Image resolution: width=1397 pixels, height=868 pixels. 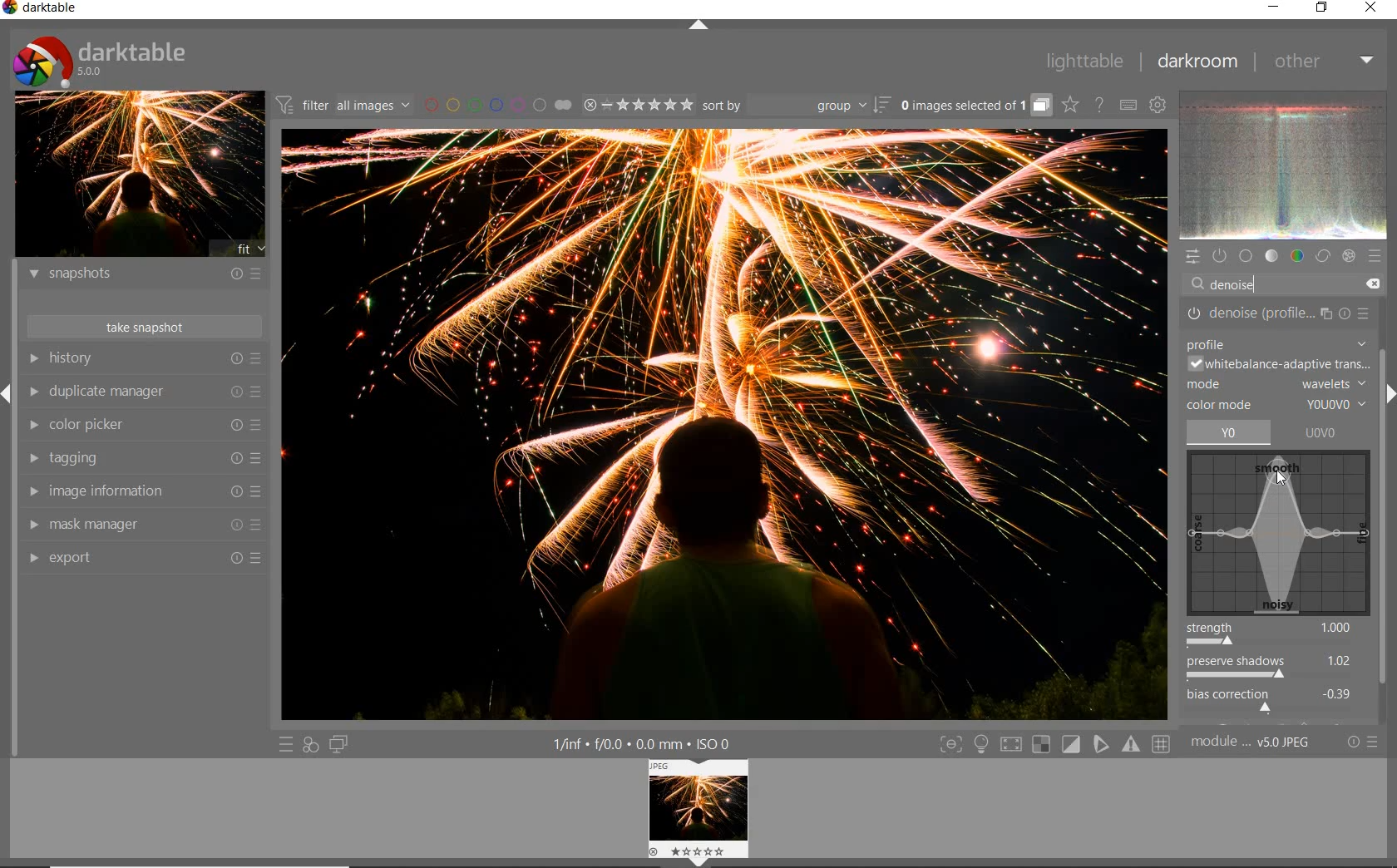 What do you see at coordinates (146, 360) in the screenshot?
I see `history` at bounding box center [146, 360].